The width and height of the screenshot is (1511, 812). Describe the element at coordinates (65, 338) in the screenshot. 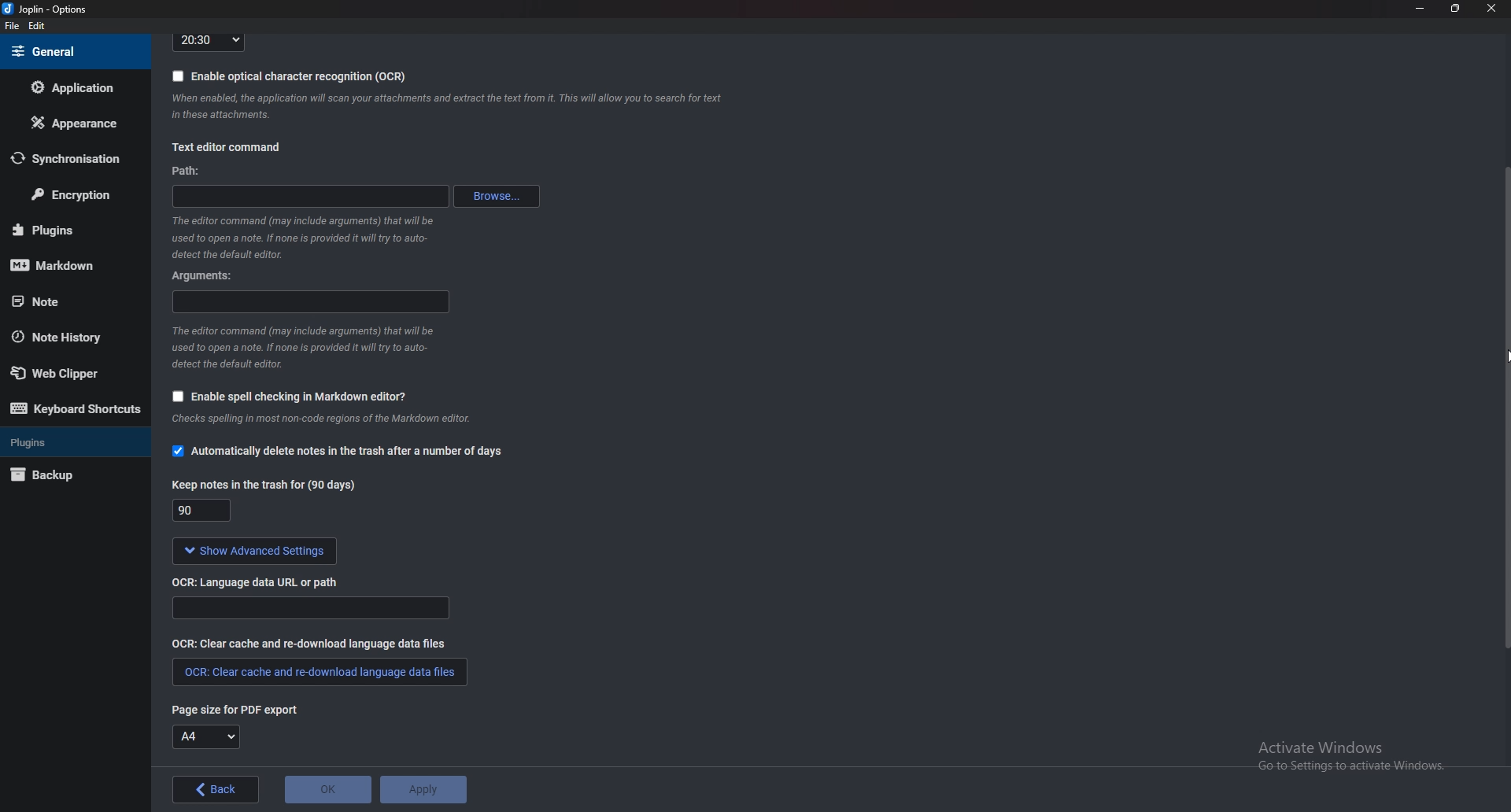

I see `Note history` at that location.